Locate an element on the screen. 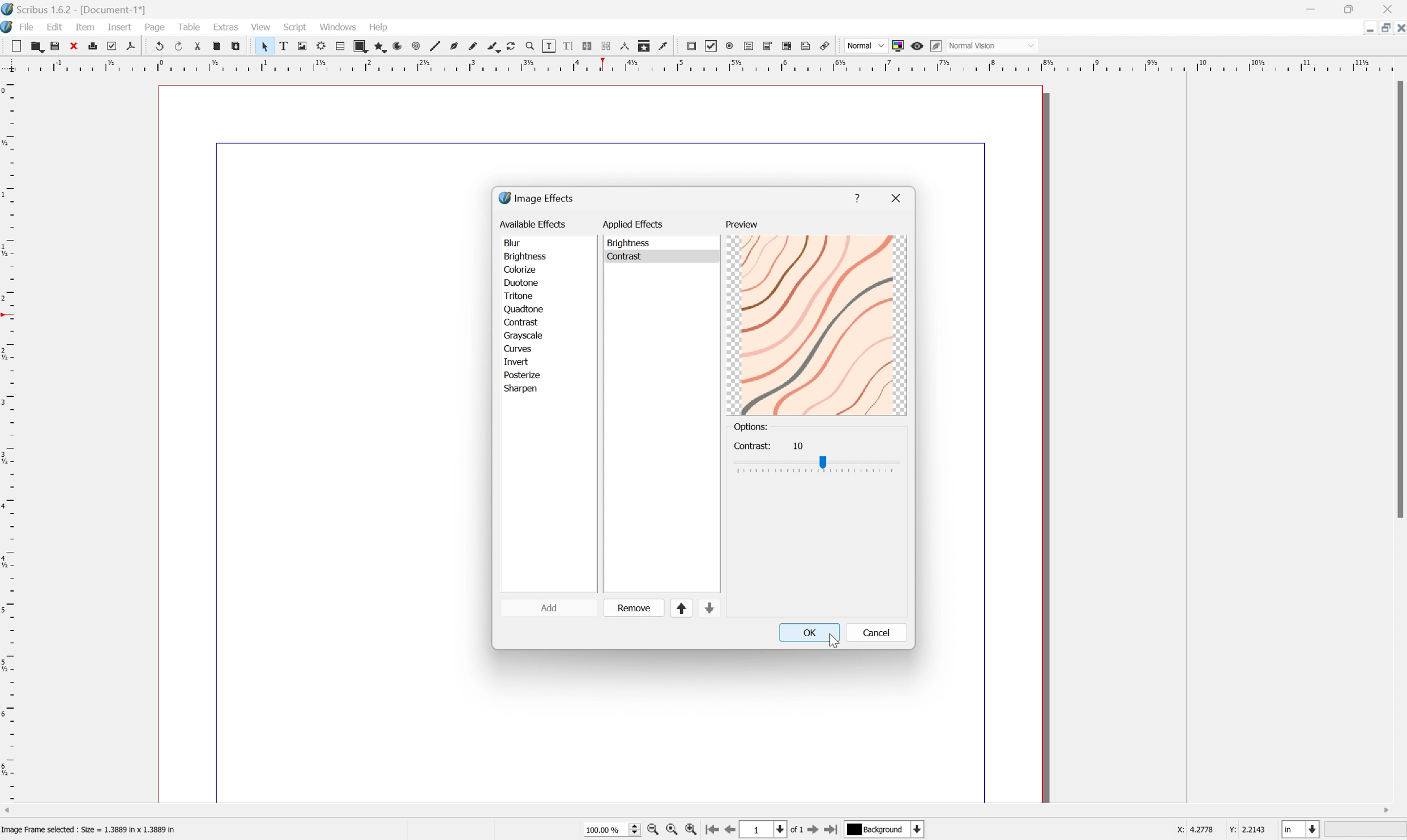 The image size is (1407, 840). colorize is located at coordinates (521, 269).